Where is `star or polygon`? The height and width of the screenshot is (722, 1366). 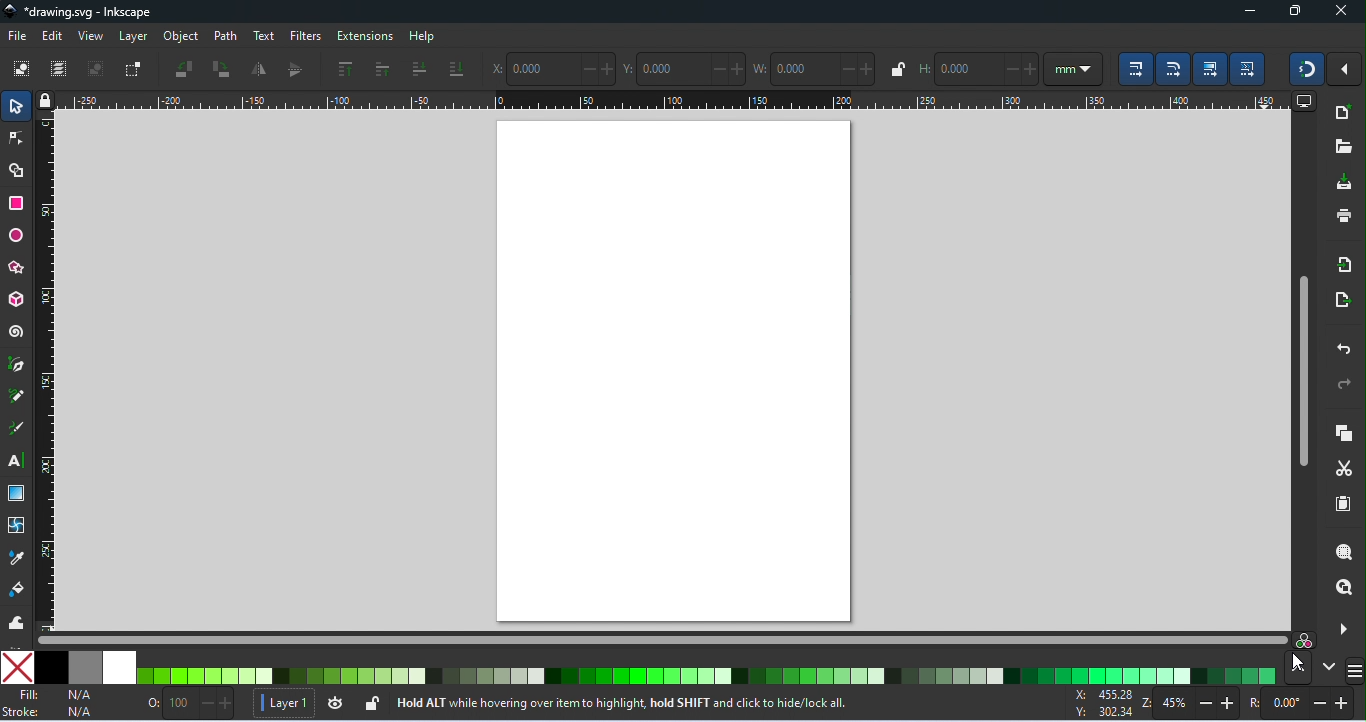 star or polygon is located at coordinates (19, 268).